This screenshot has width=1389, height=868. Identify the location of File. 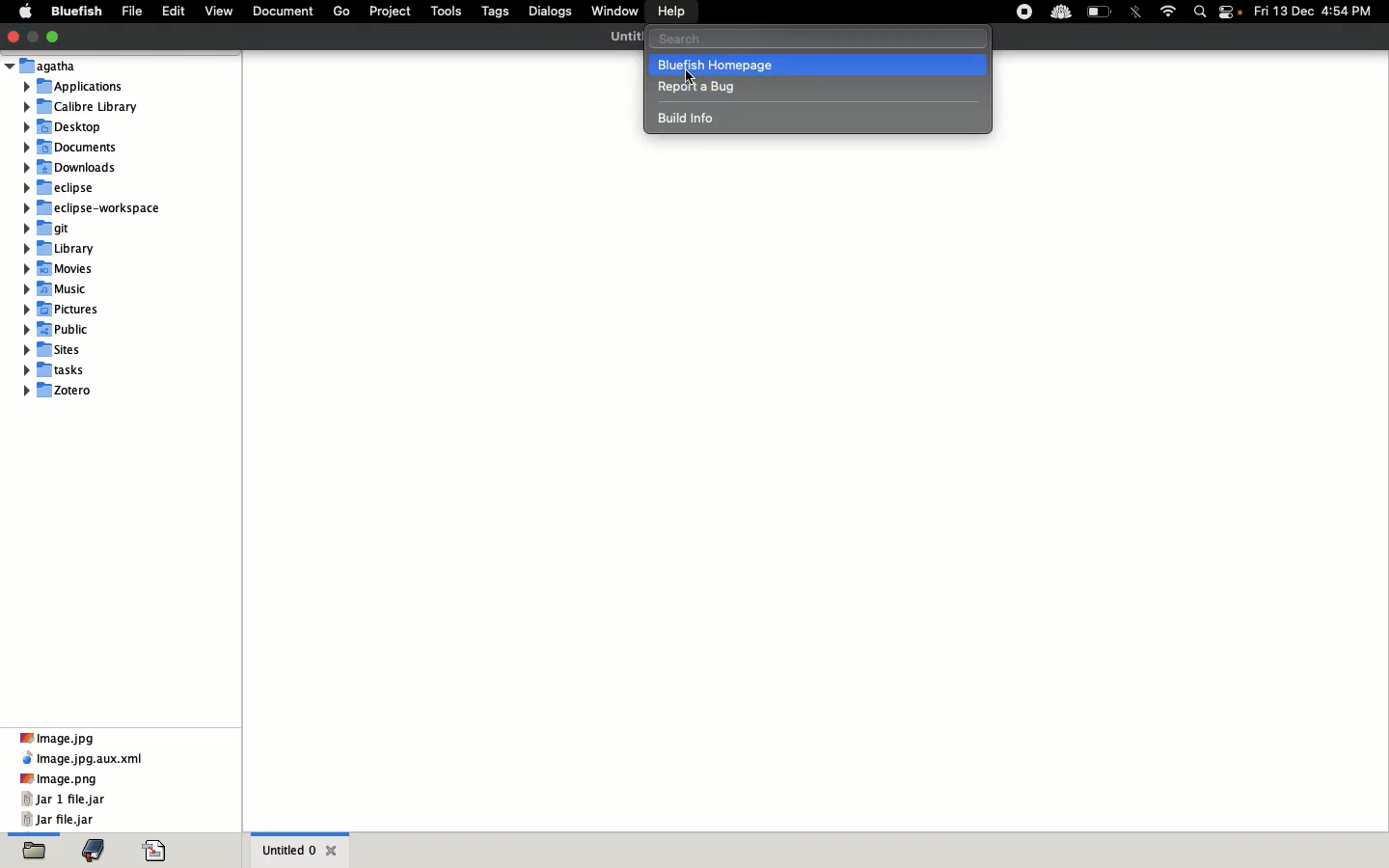
(131, 10).